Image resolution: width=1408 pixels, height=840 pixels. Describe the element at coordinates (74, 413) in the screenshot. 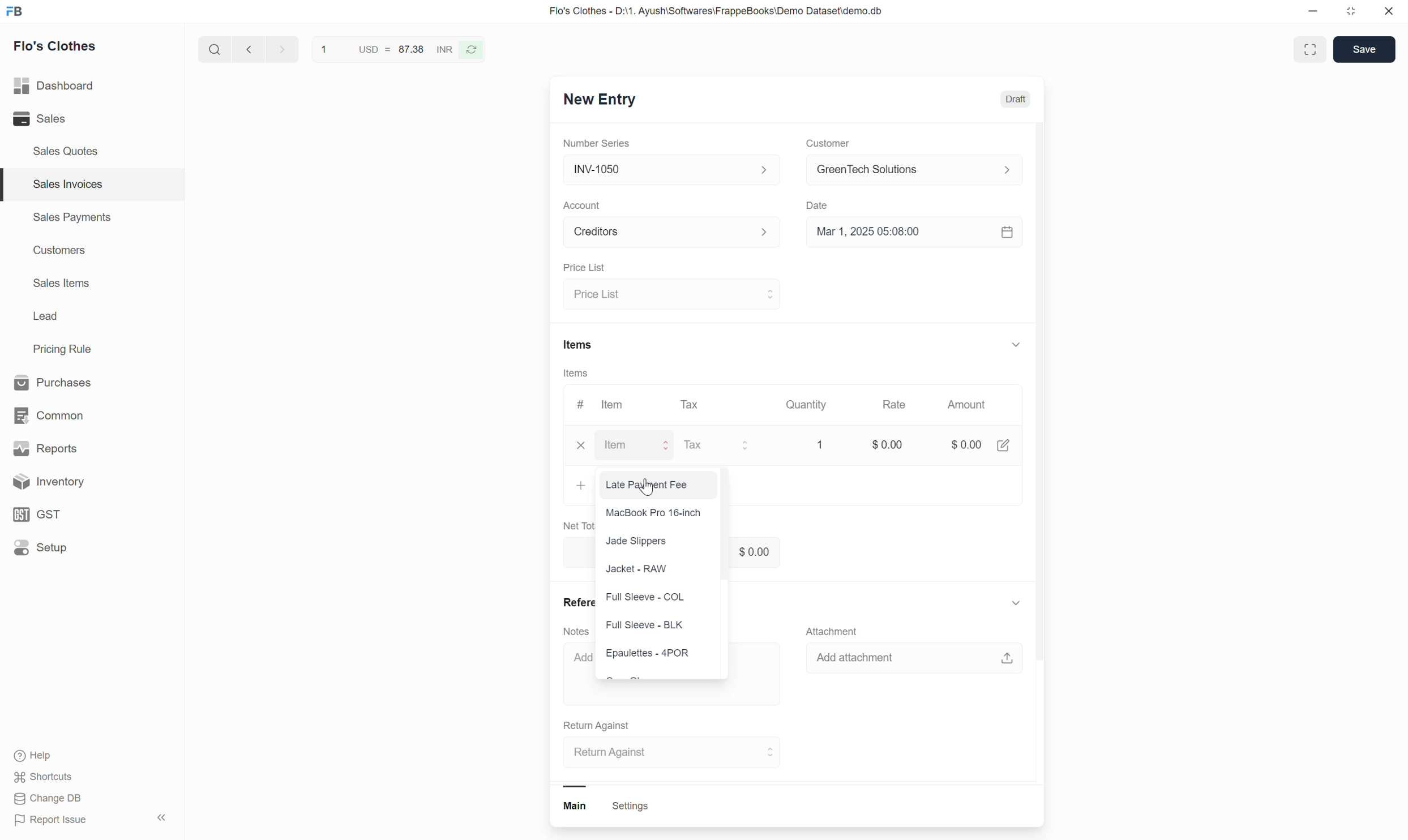

I see `common` at that location.